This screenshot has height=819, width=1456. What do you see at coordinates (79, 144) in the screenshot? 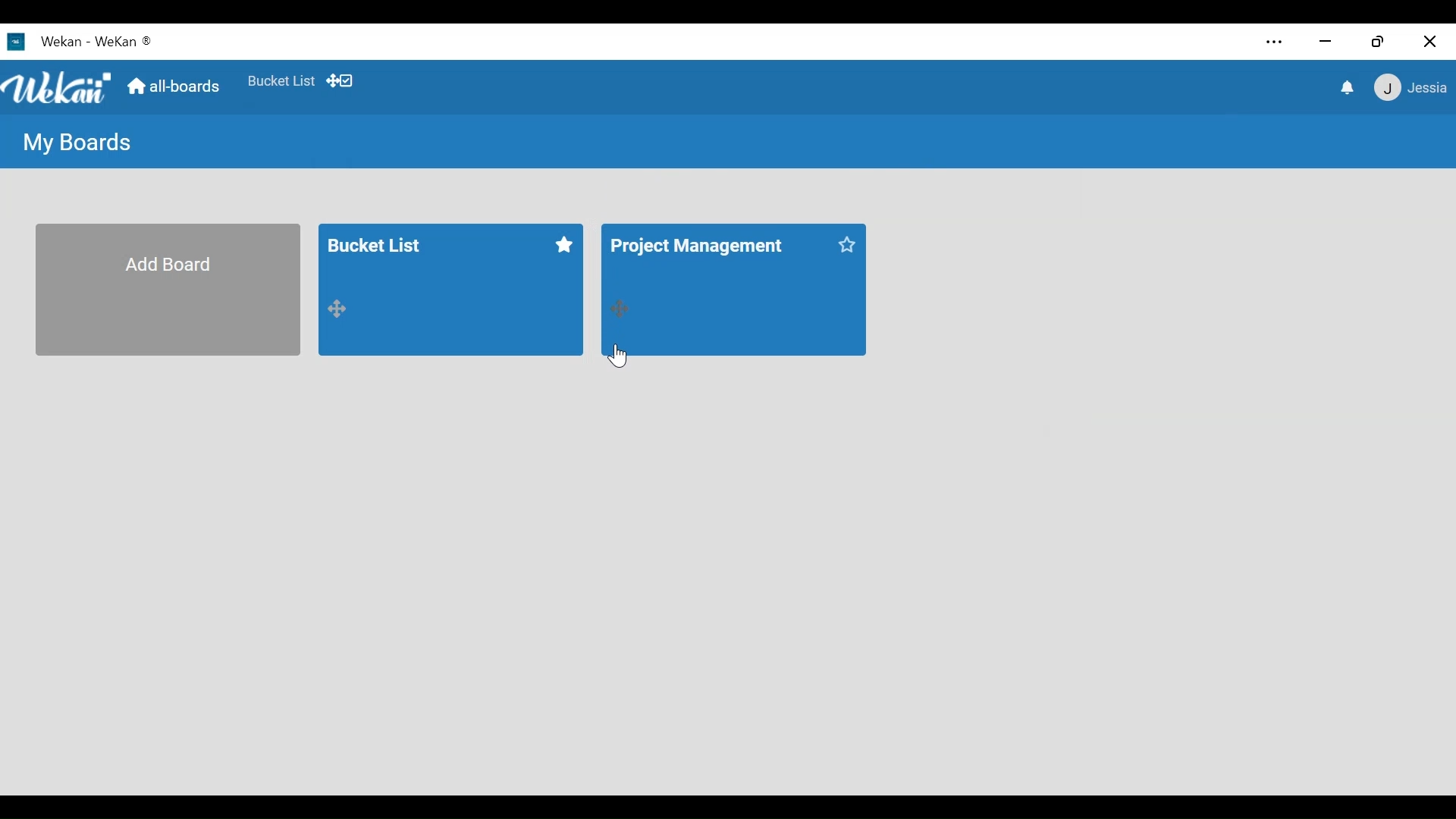
I see `My Boards` at bounding box center [79, 144].